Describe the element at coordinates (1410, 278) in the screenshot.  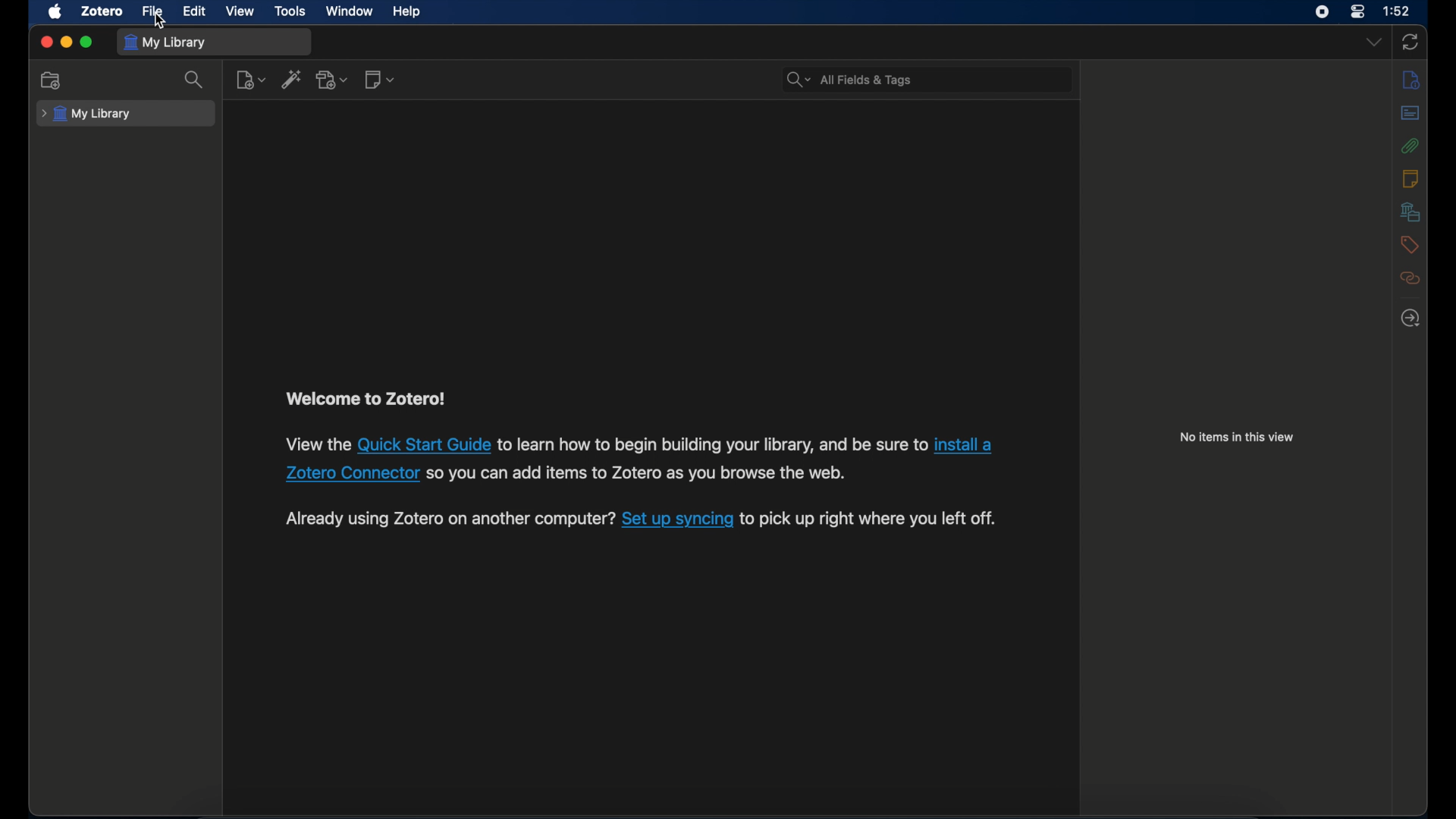
I see `related` at that location.